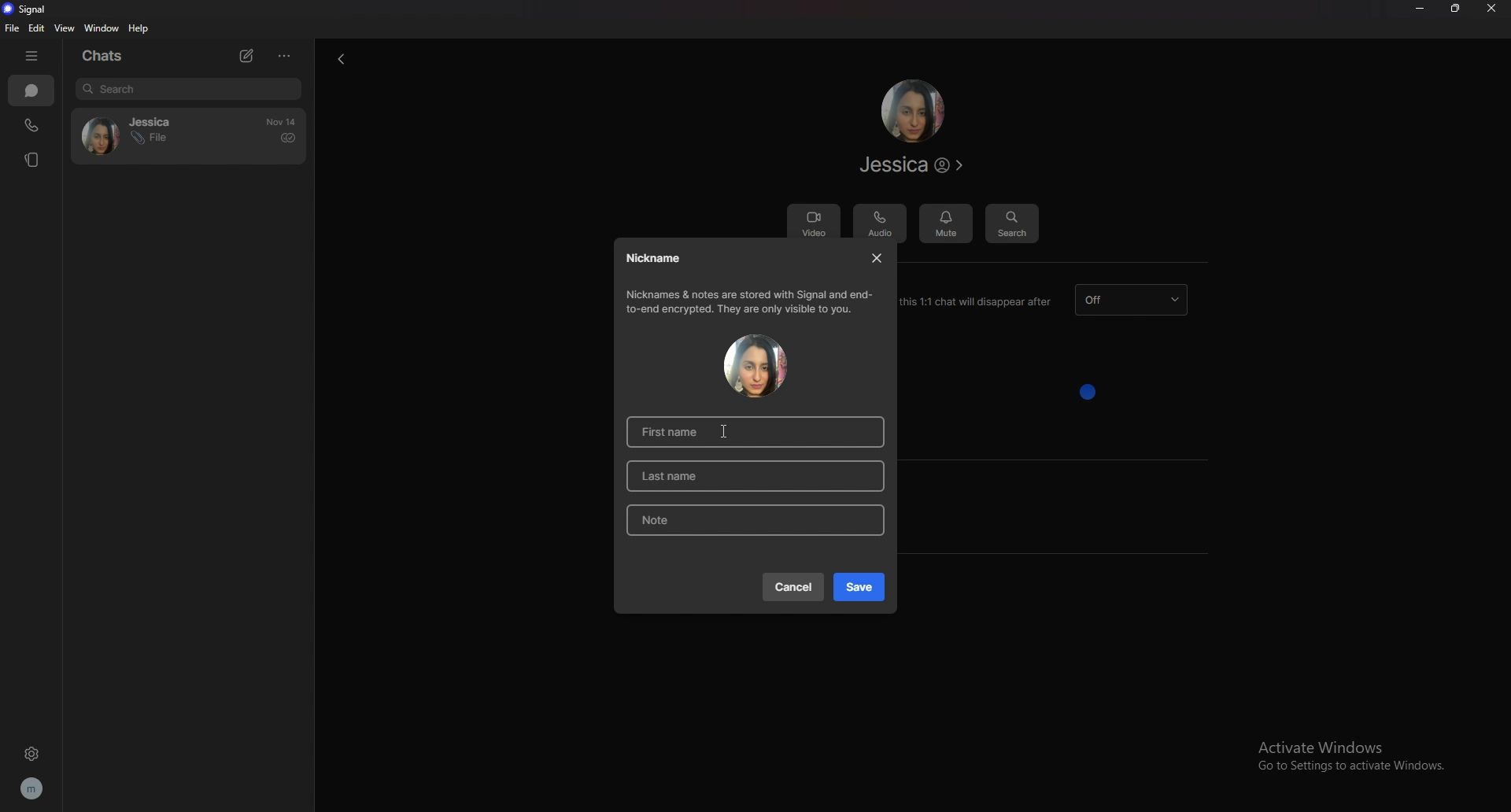  Describe the element at coordinates (879, 224) in the screenshot. I see `audio` at that location.